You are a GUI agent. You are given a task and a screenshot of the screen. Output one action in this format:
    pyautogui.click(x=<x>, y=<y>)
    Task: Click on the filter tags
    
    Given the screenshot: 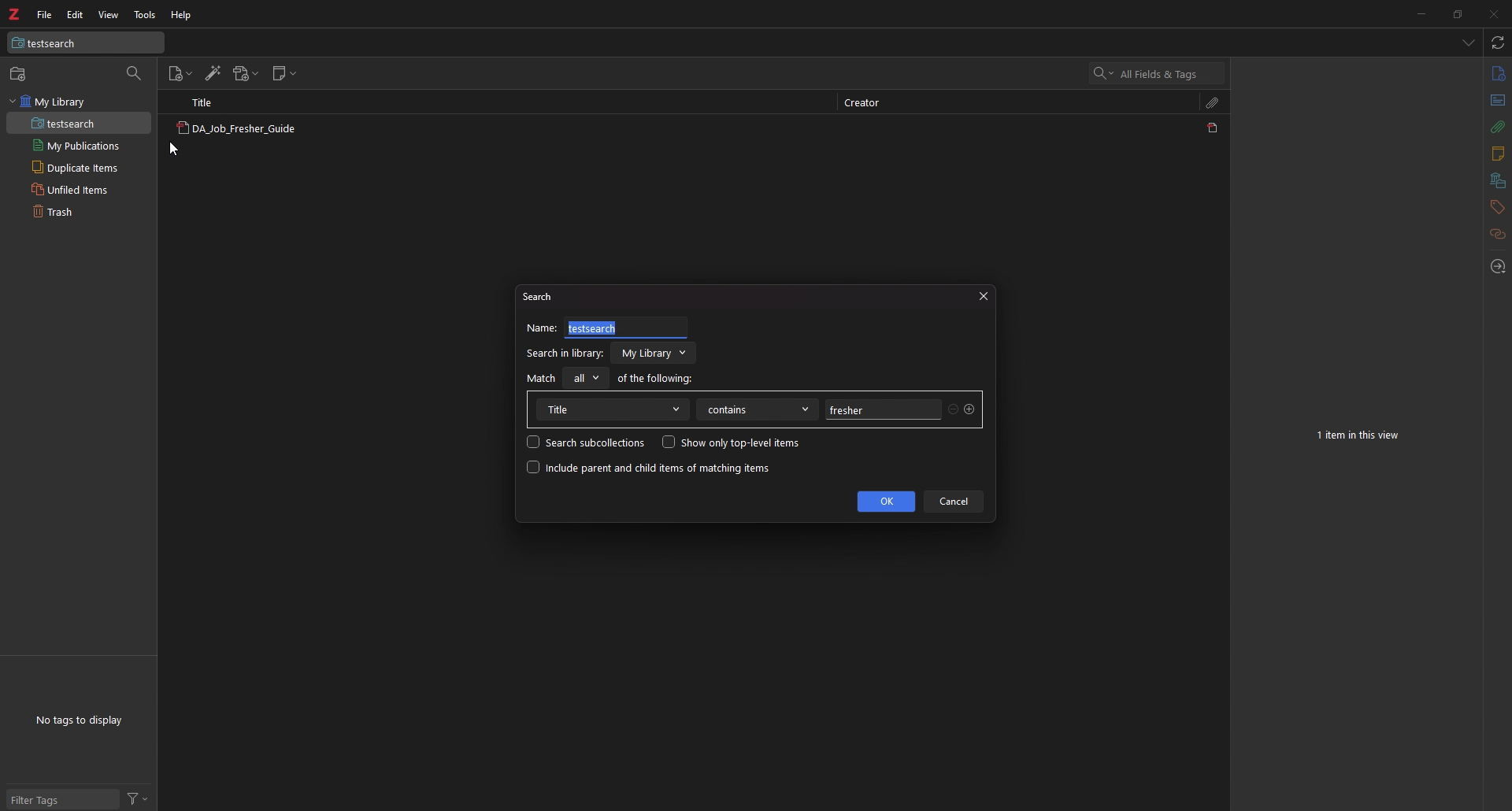 What is the action you would take?
    pyautogui.click(x=63, y=799)
    